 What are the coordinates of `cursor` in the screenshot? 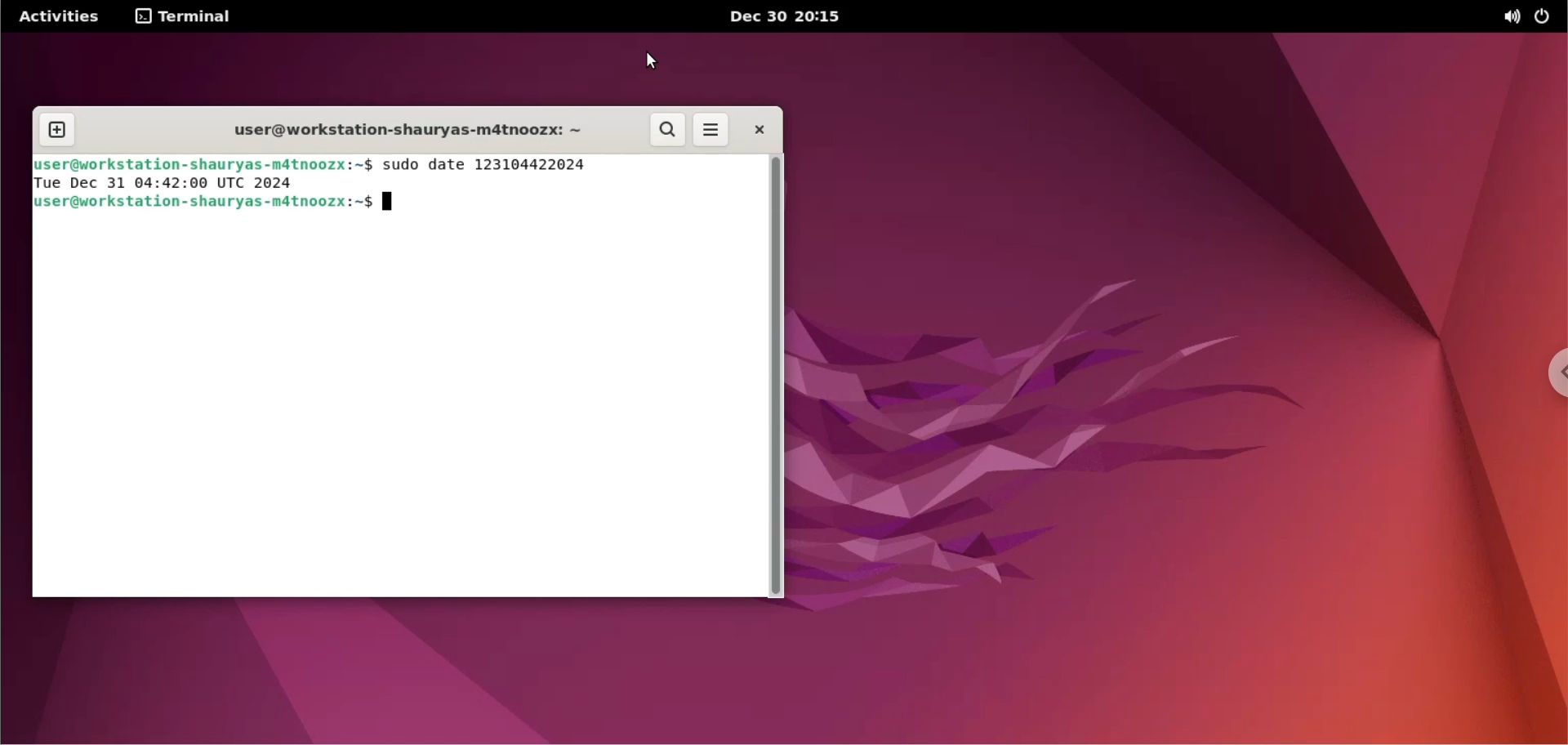 It's located at (649, 60).